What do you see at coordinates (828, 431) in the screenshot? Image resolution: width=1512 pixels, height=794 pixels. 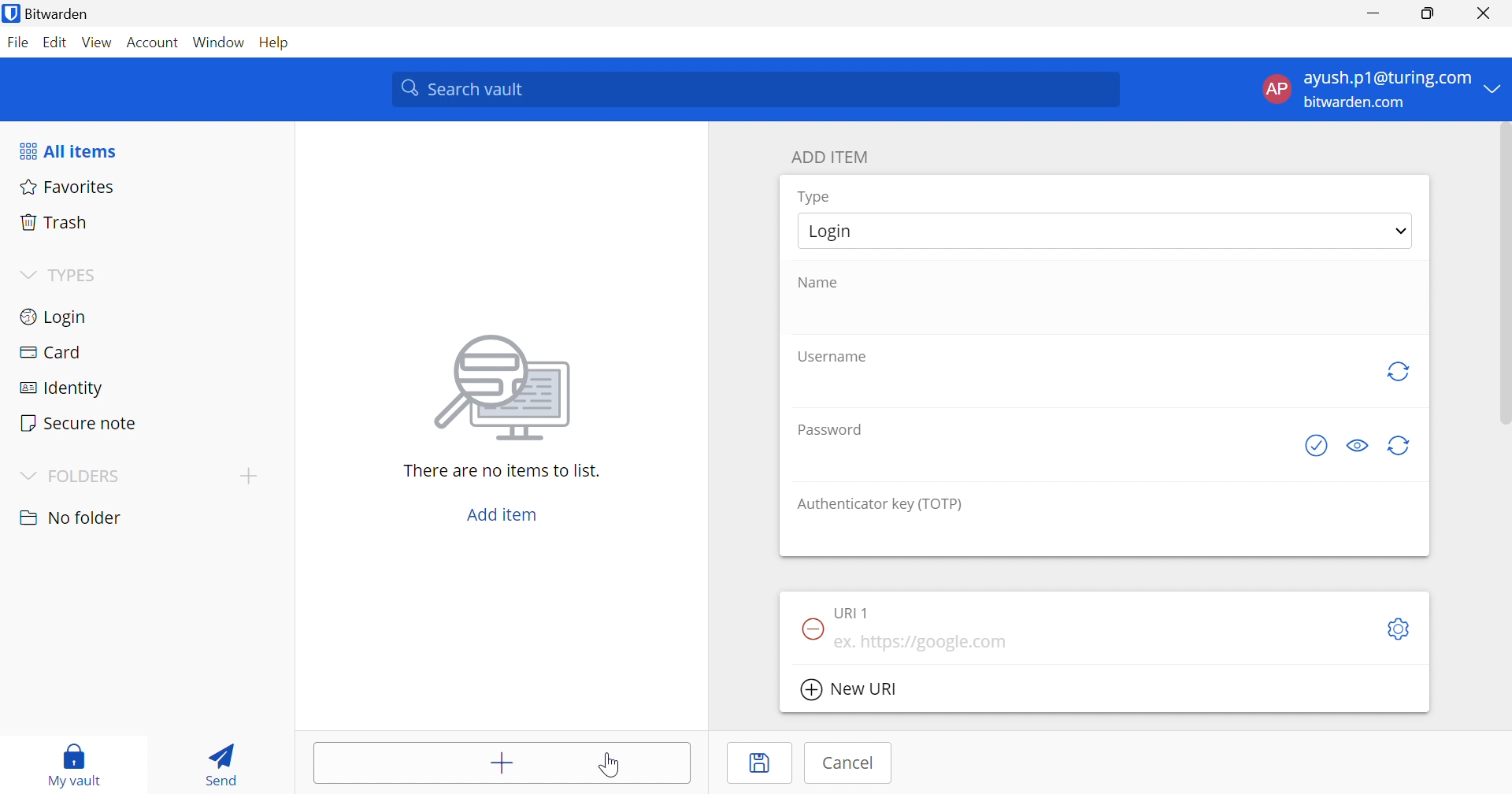 I see `Password` at bounding box center [828, 431].